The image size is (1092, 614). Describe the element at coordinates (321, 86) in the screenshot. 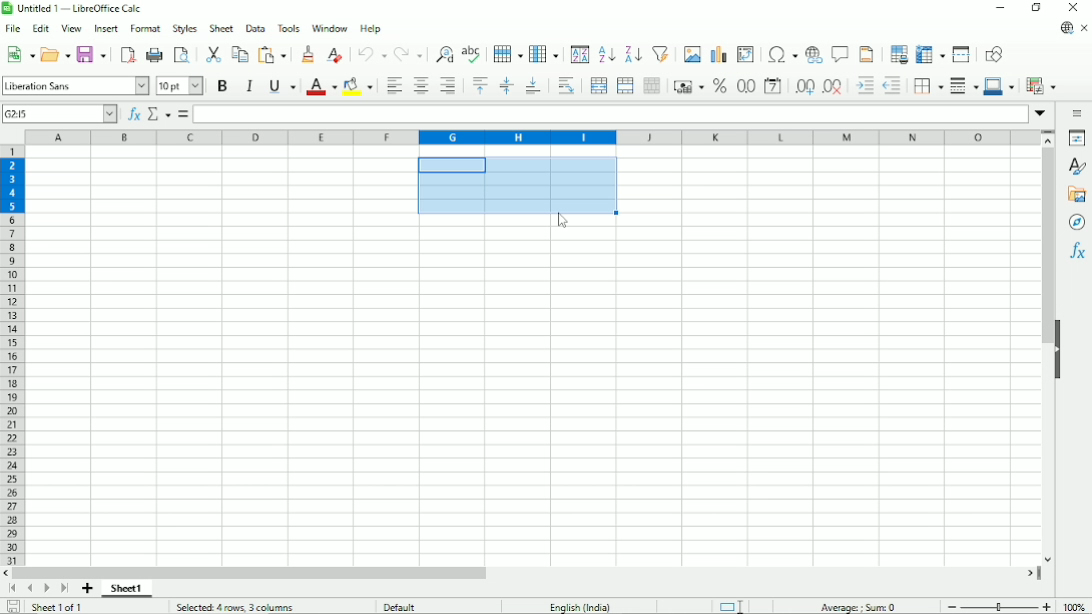

I see `Text color` at that location.